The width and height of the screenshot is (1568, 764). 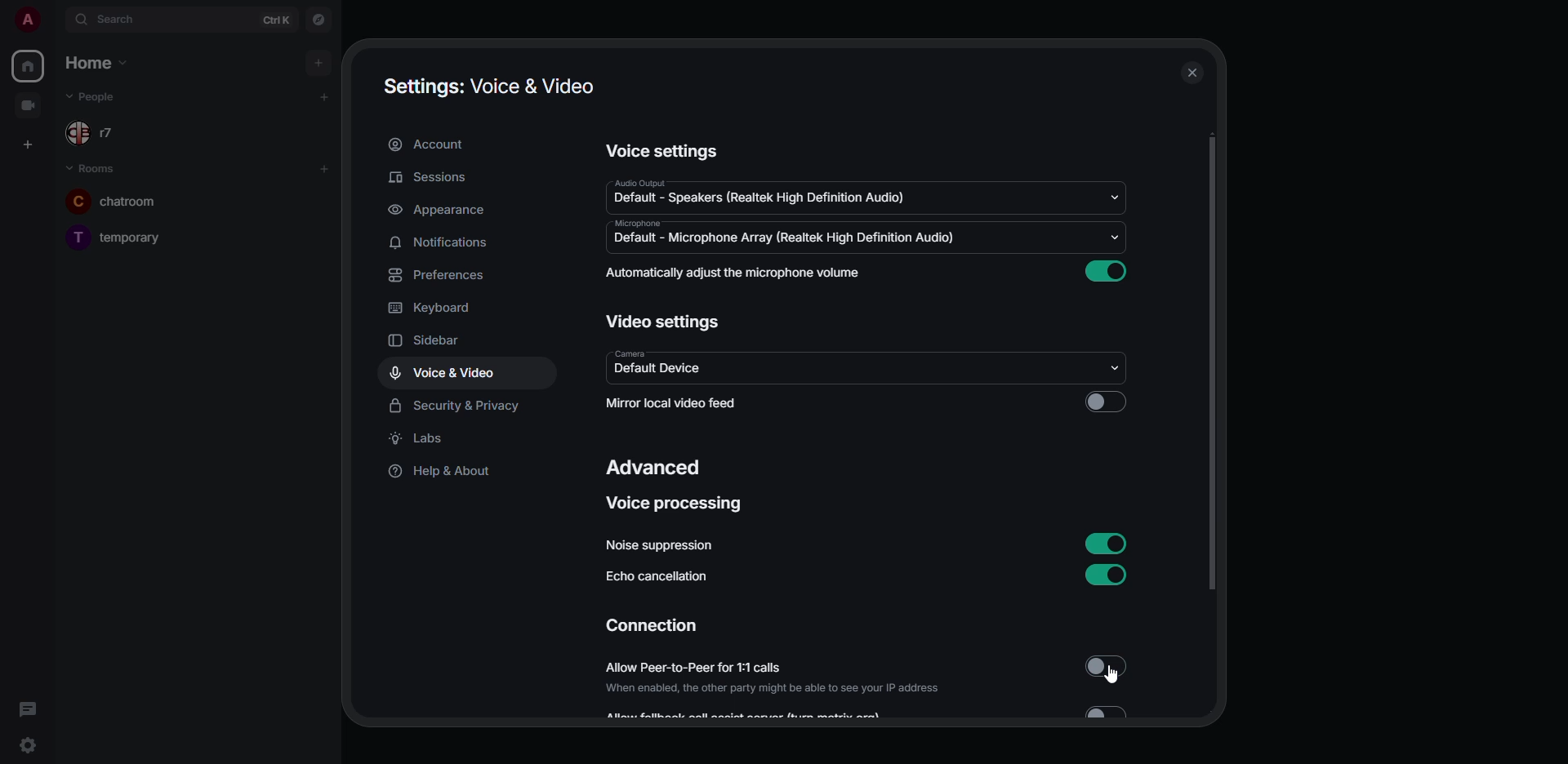 I want to click on keyboard, so click(x=434, y=307).